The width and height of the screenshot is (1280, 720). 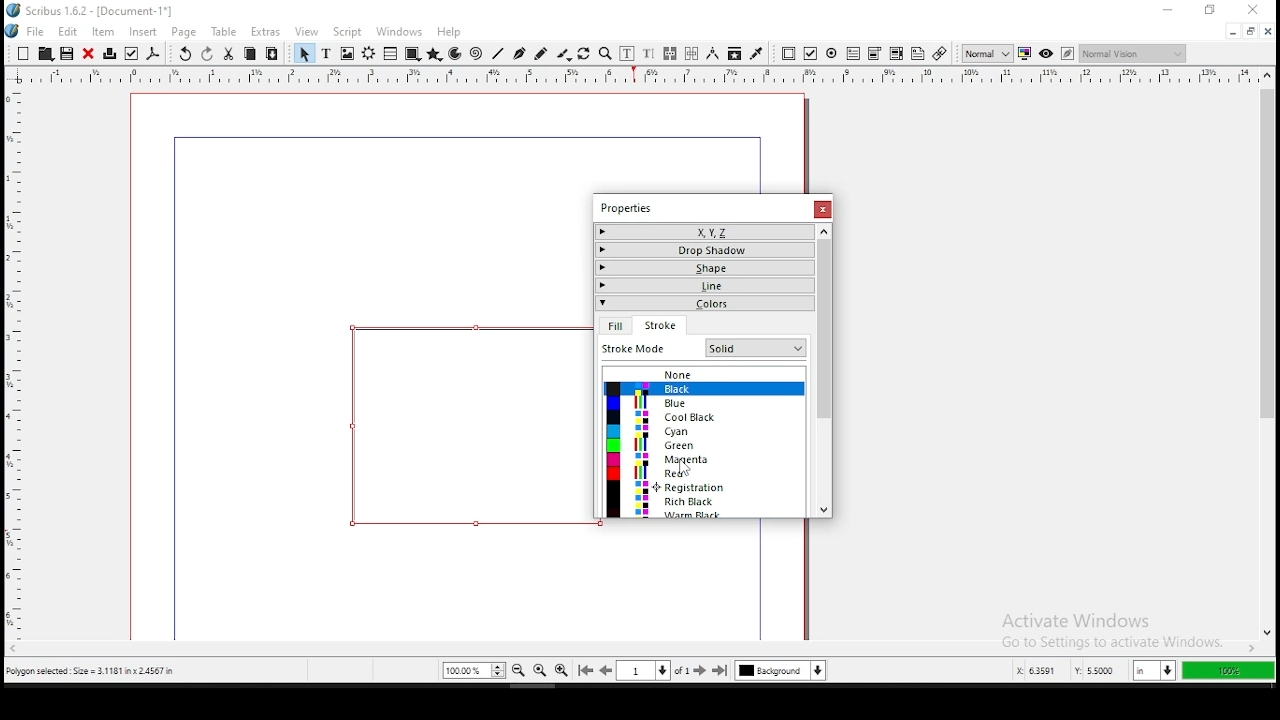 What do you see at coordinates (1094, 671) in the screenshot?
I see `y: 2.9584` at bounding box center [1094, 671].